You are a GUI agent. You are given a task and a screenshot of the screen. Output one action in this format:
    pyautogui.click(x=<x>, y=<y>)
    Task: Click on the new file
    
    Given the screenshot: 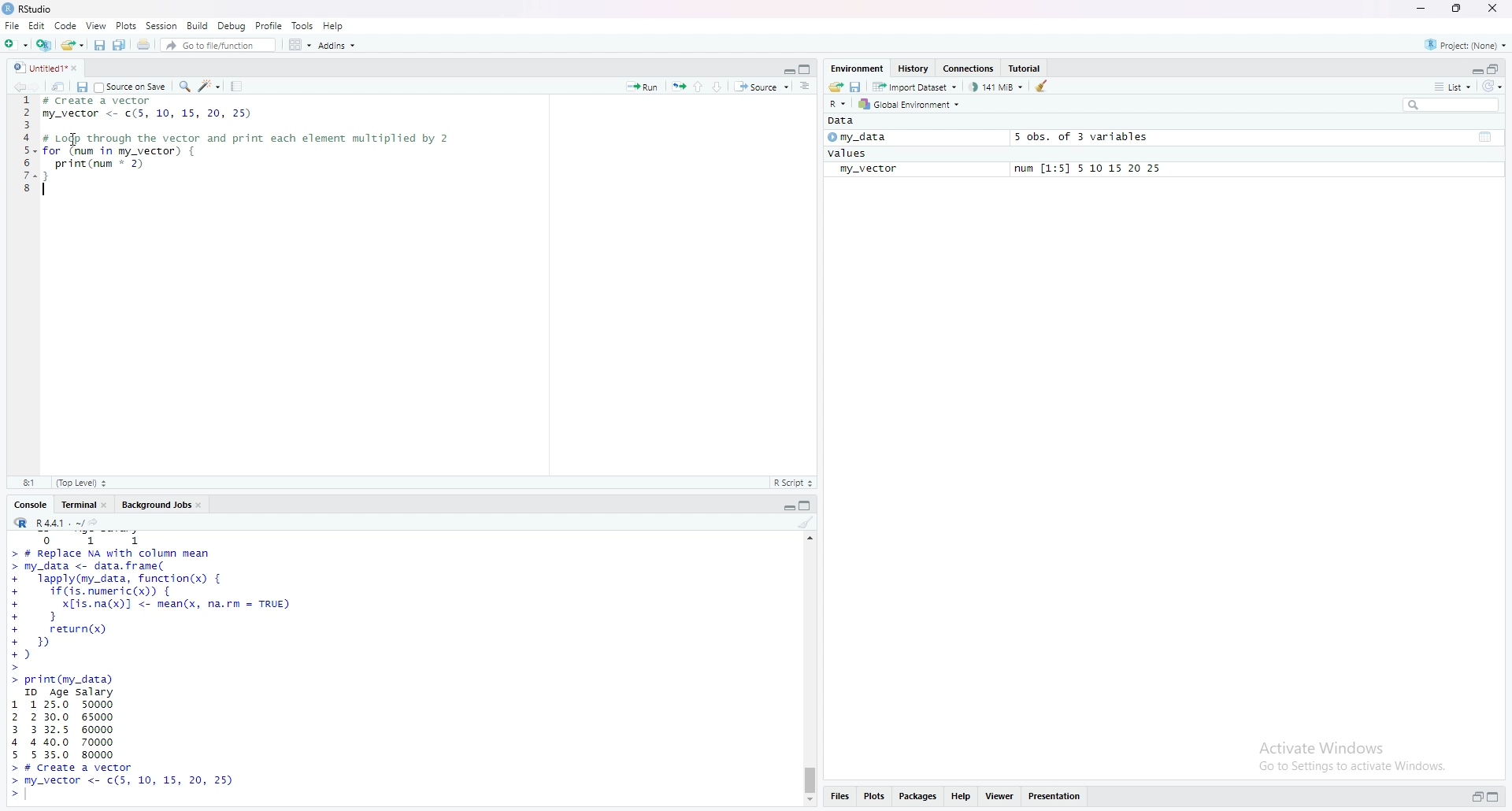 What is the action you would take?
    pyautogui.click(x=16, y=46)
    